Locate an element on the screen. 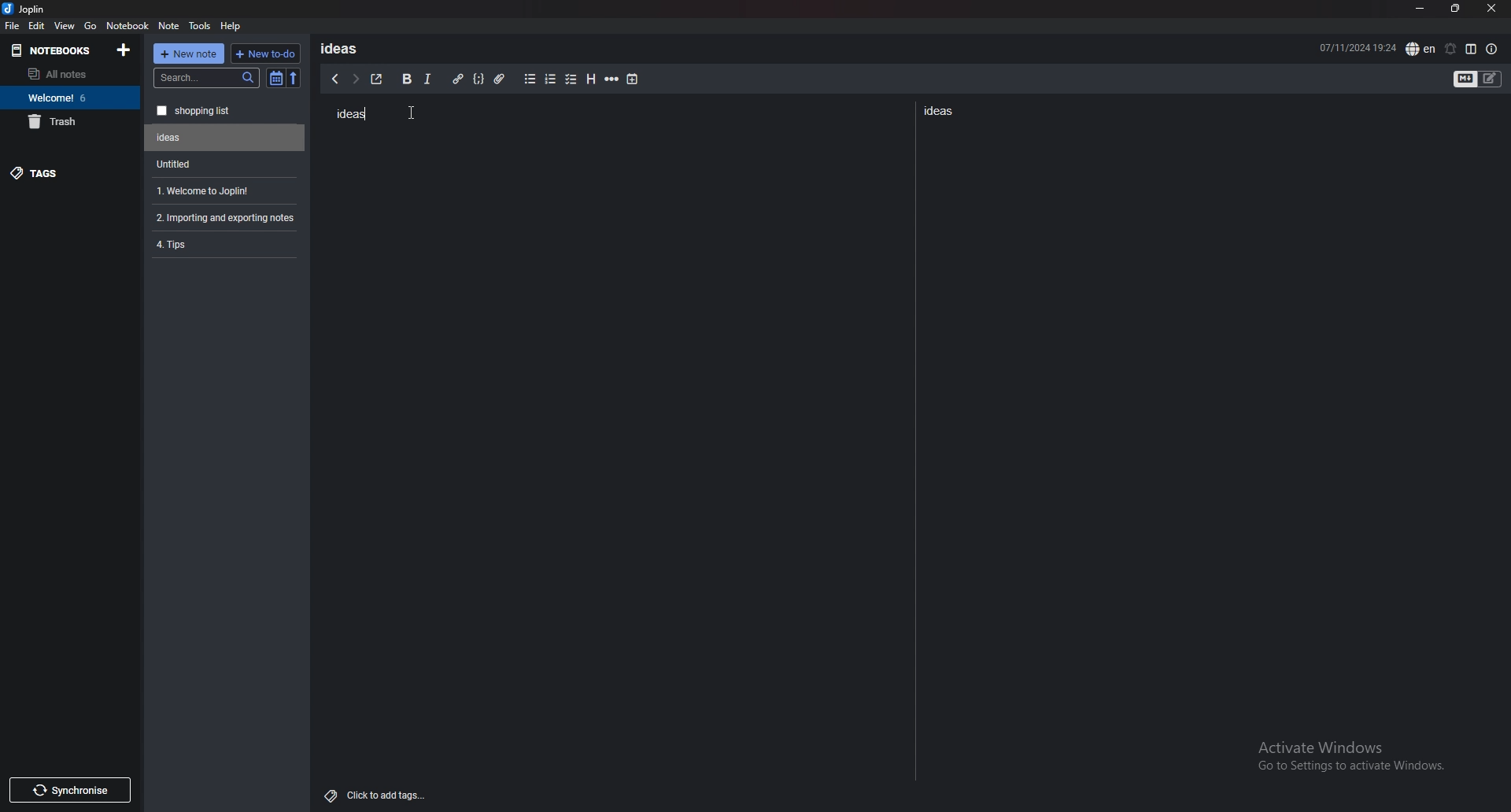 Image resolution: width=1511 pixels, height=812 pixels. tags is located at coordinates (71, 172).